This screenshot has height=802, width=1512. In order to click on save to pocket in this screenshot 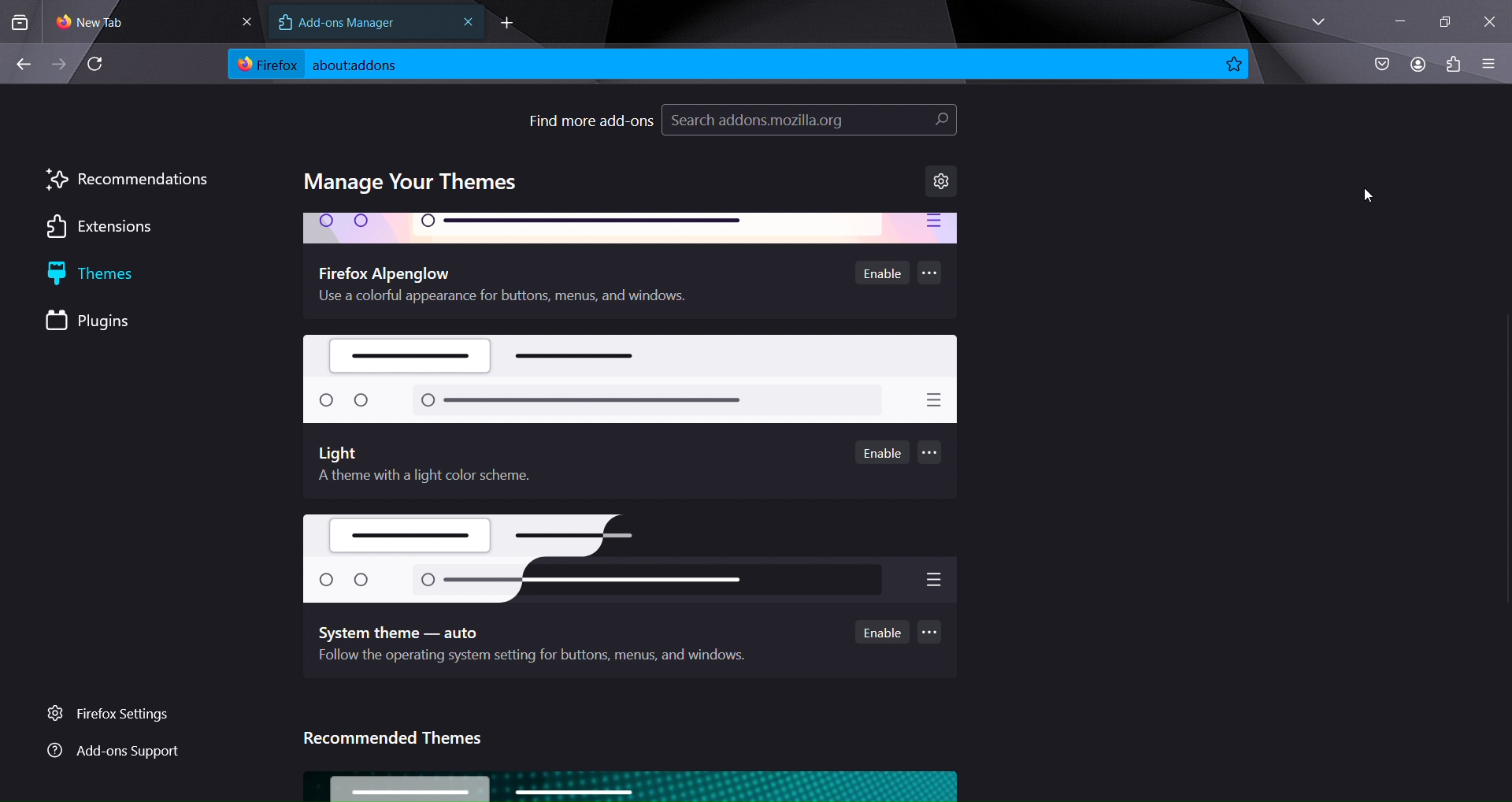, I will do `click(1380, 64)`.